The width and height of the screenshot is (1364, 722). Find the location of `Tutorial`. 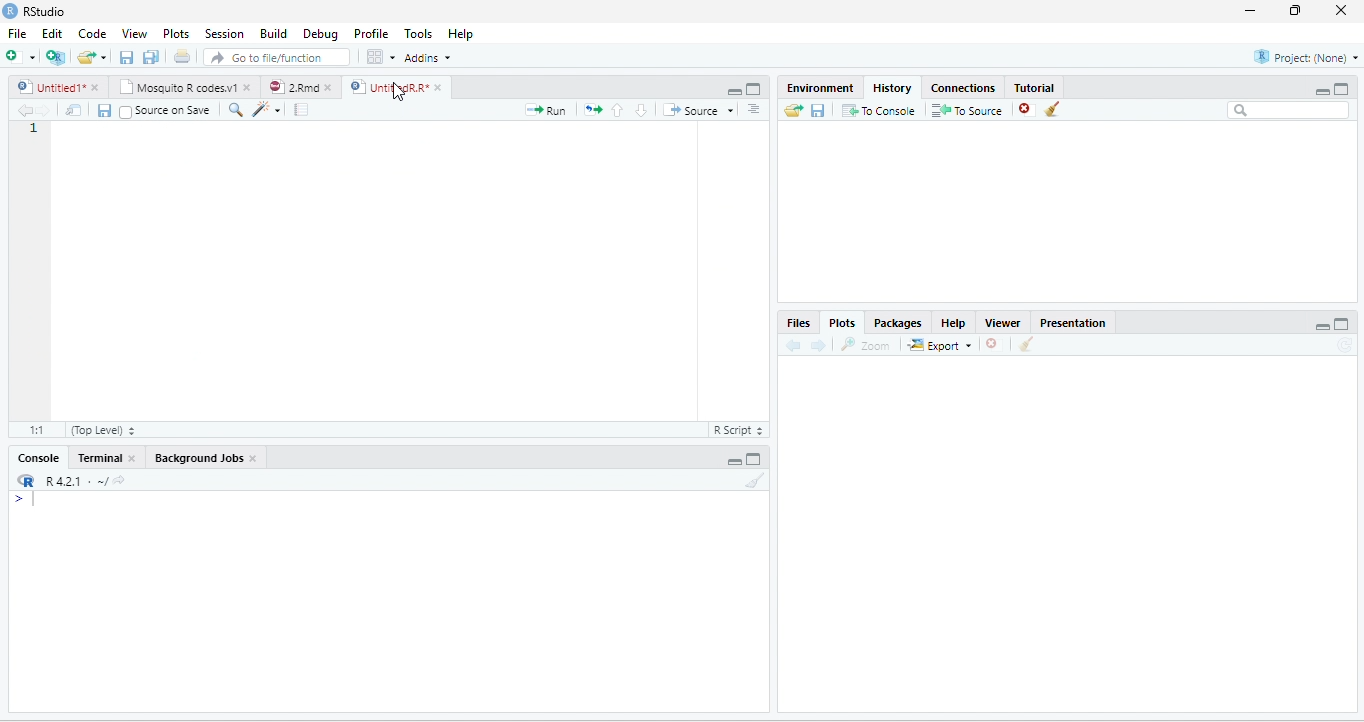

Tutorial is located at coordinates (1035, 86).